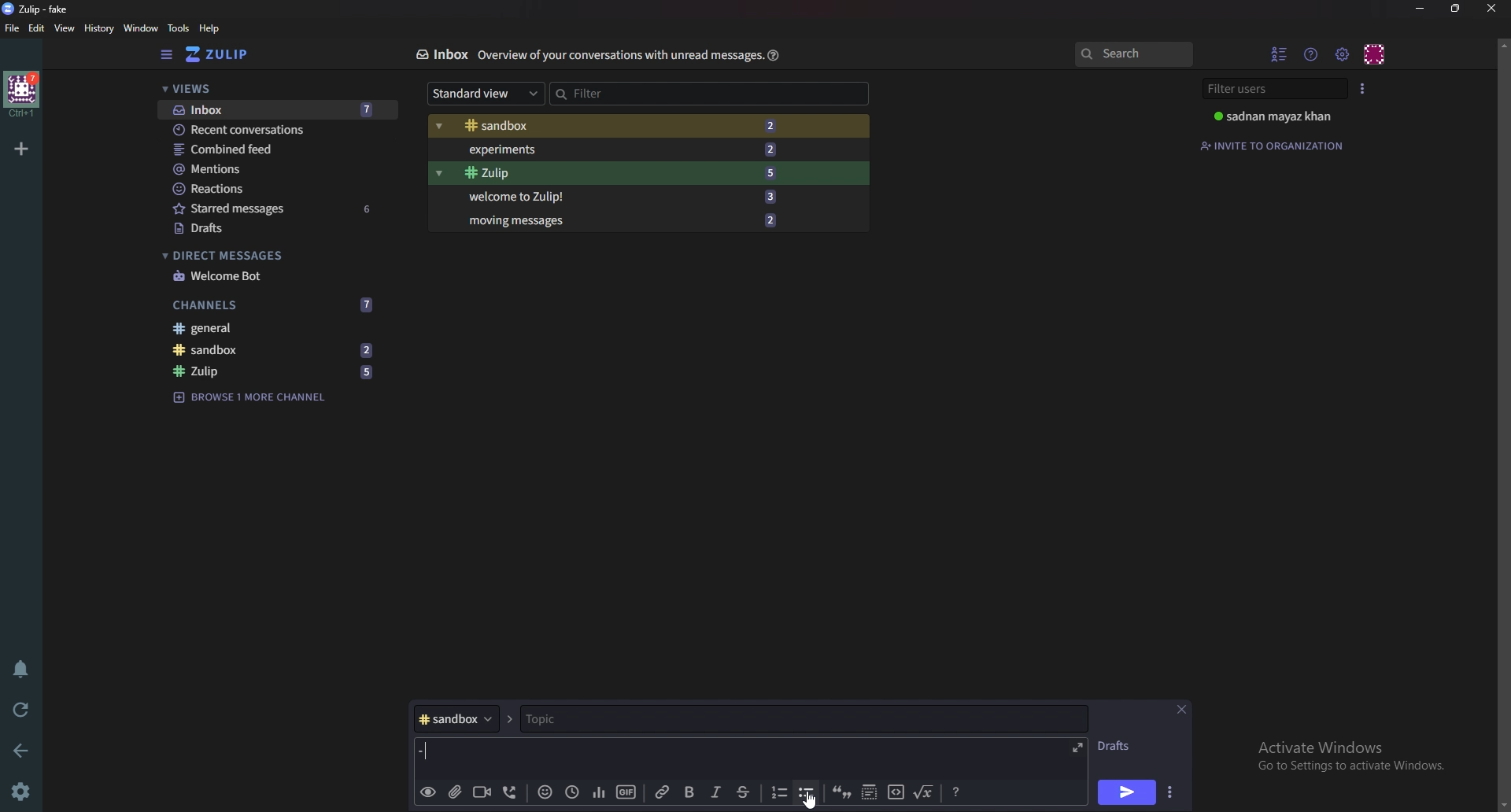 The height and width of the screenshot is (812, 1511). What do you see at coordinates (277, 149) in the screenshot?
I see `combined feed` at bounding box center [277, 149].